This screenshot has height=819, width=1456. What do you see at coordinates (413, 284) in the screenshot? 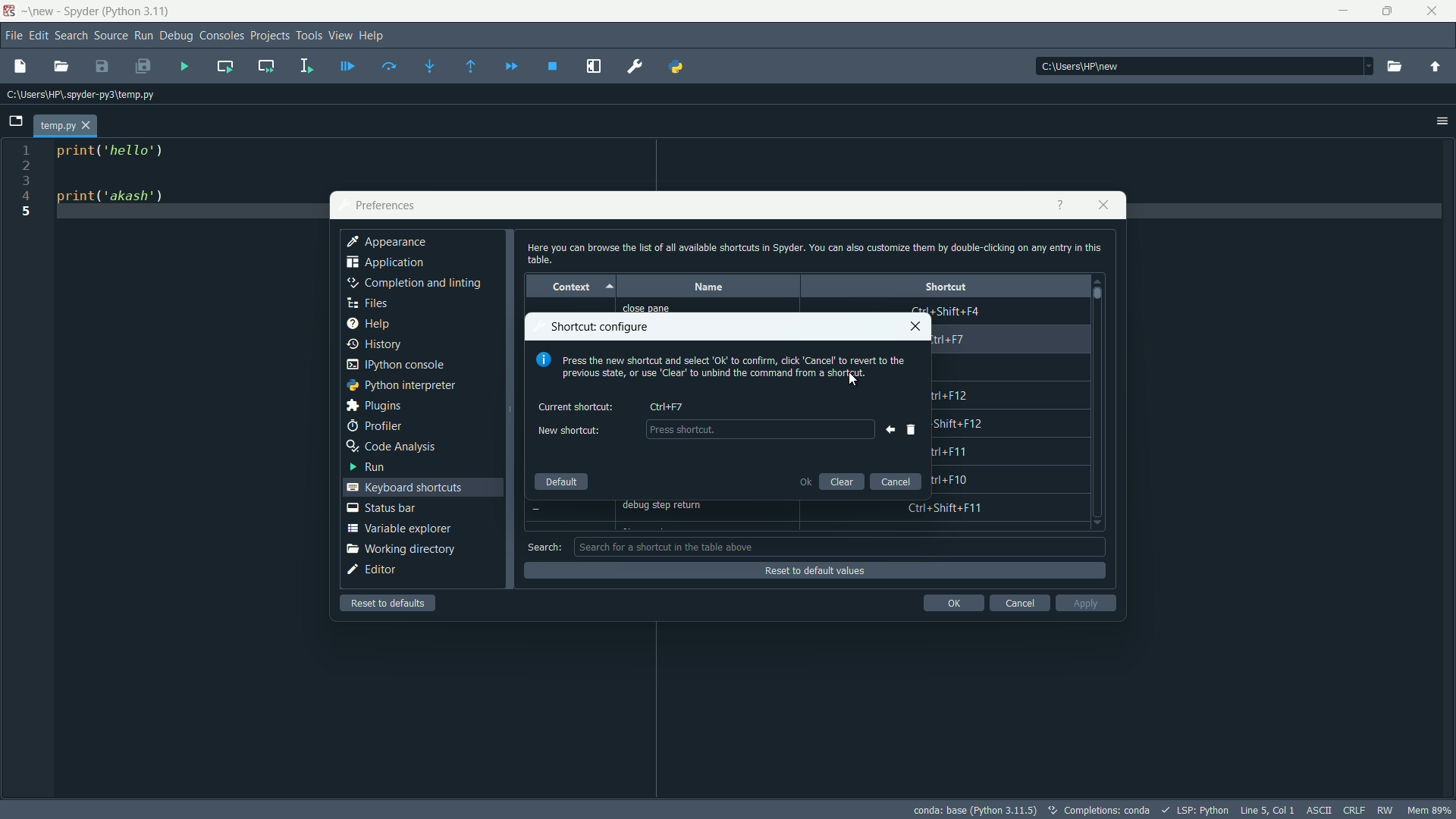
I see `` at bounding box center [413, 284].